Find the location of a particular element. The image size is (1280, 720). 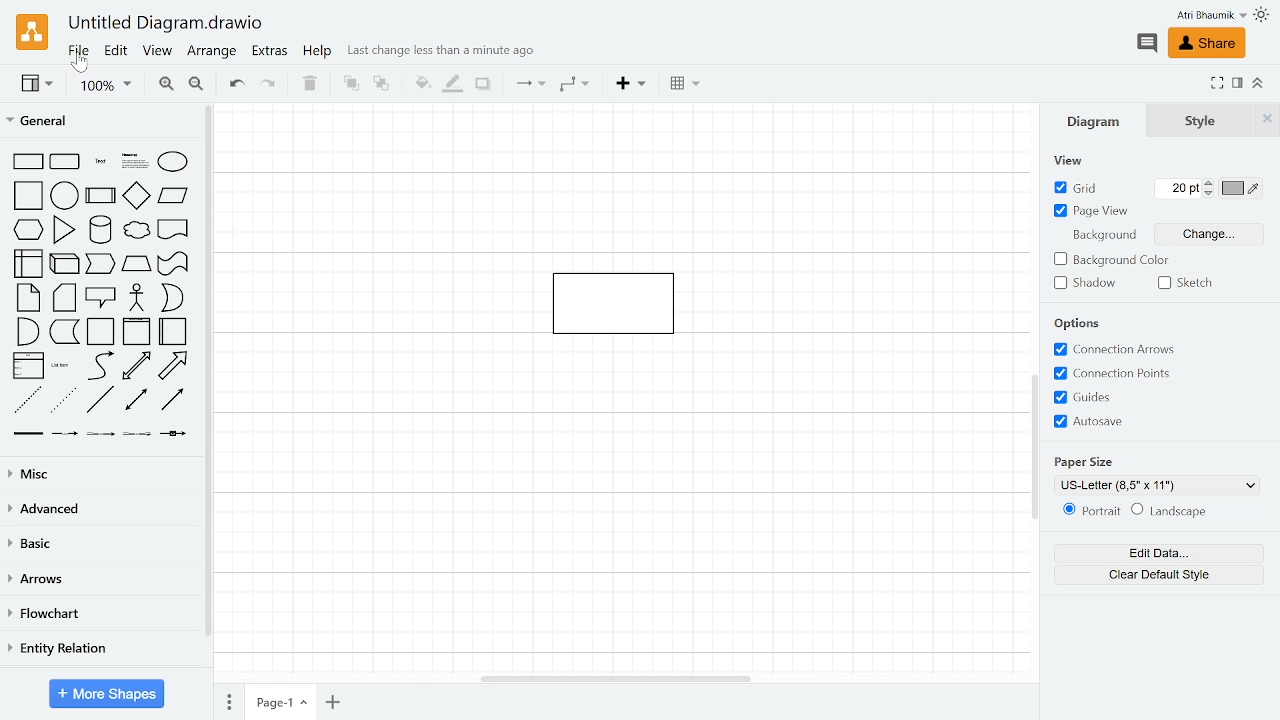

Current window is located at coordinates (167, 22).